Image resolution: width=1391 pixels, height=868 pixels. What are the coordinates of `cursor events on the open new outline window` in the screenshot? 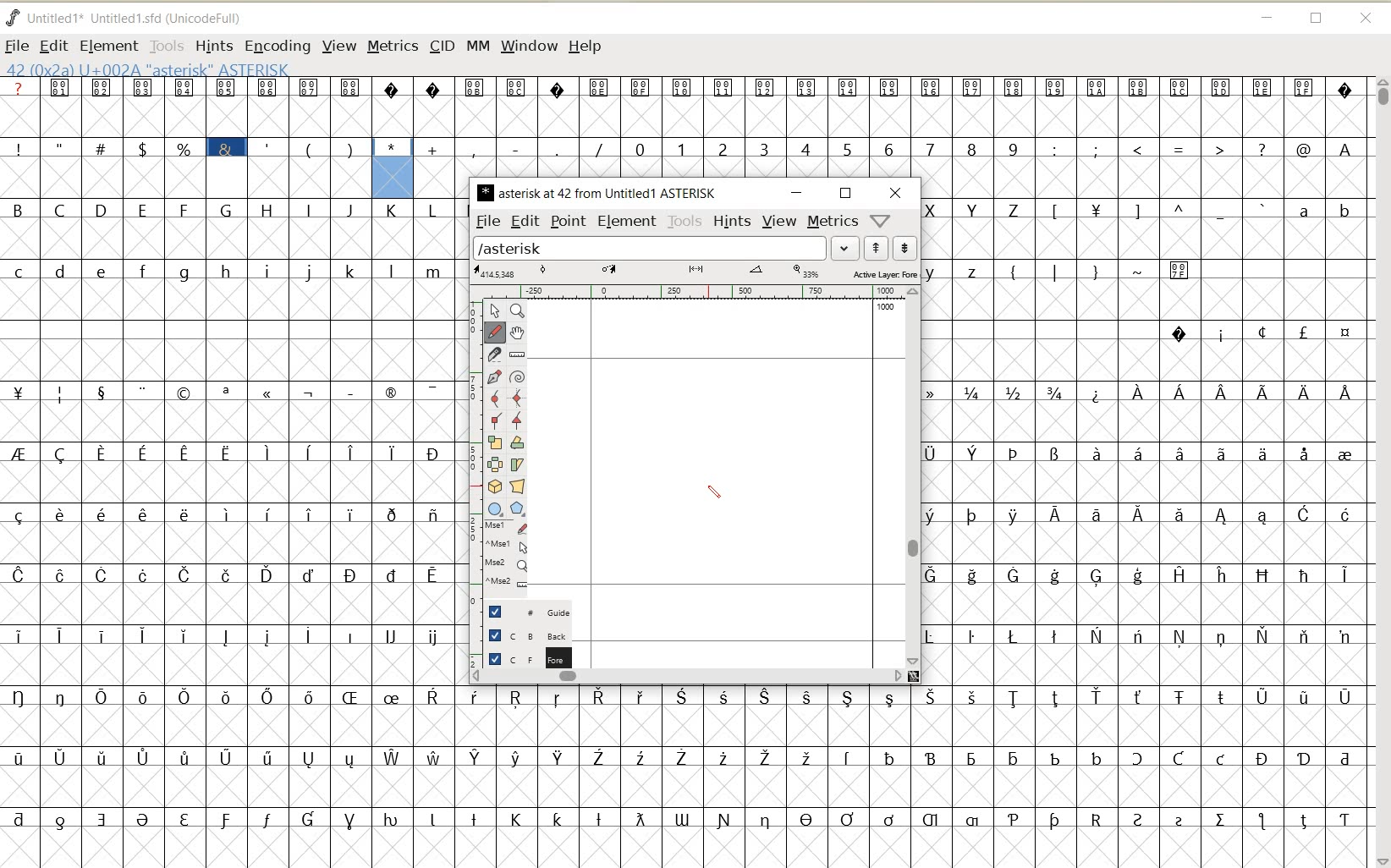 It's located at (508, 558).